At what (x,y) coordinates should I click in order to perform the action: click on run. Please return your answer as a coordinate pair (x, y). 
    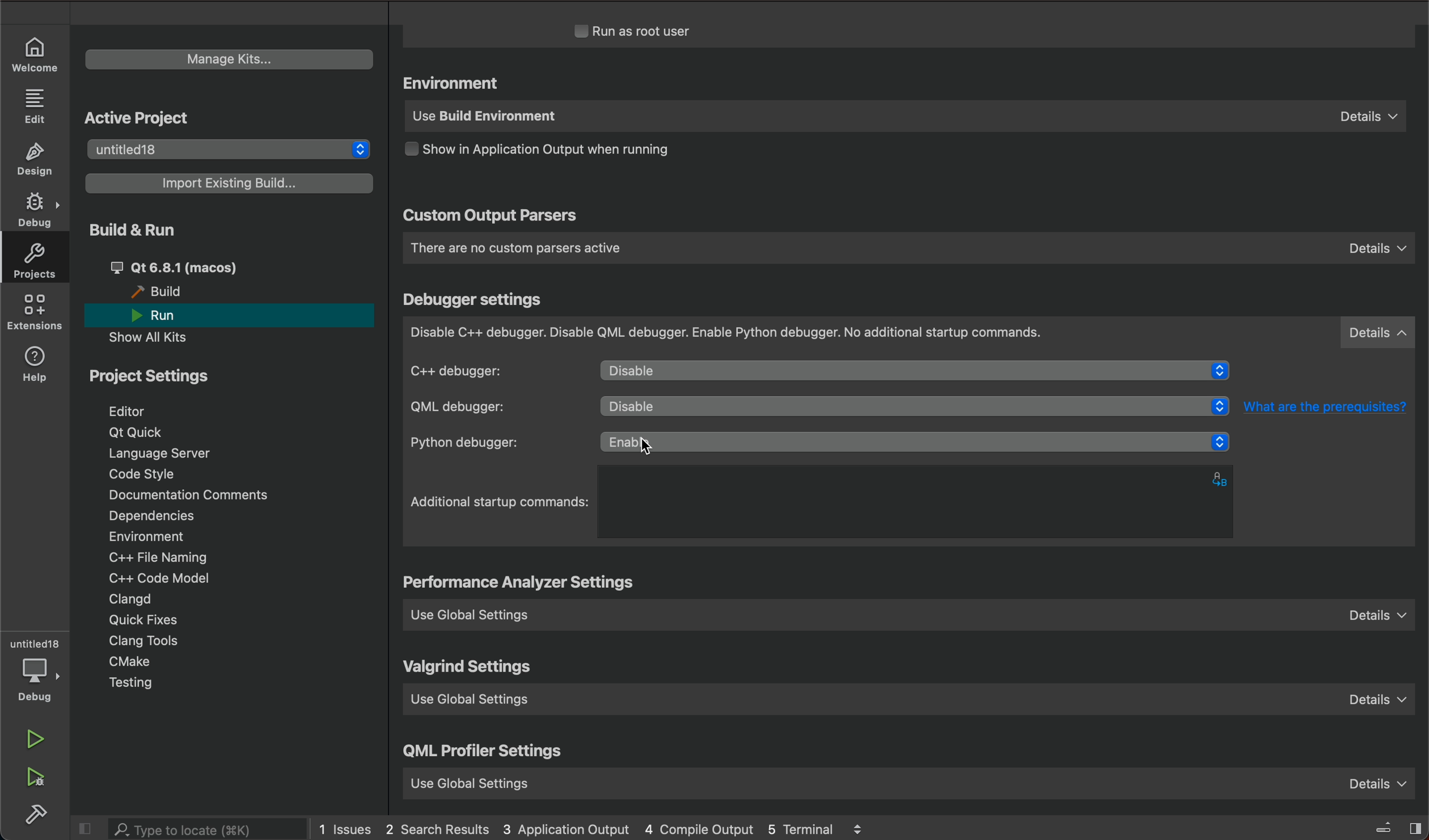
    Looking at the image, I should click on (166, 316).